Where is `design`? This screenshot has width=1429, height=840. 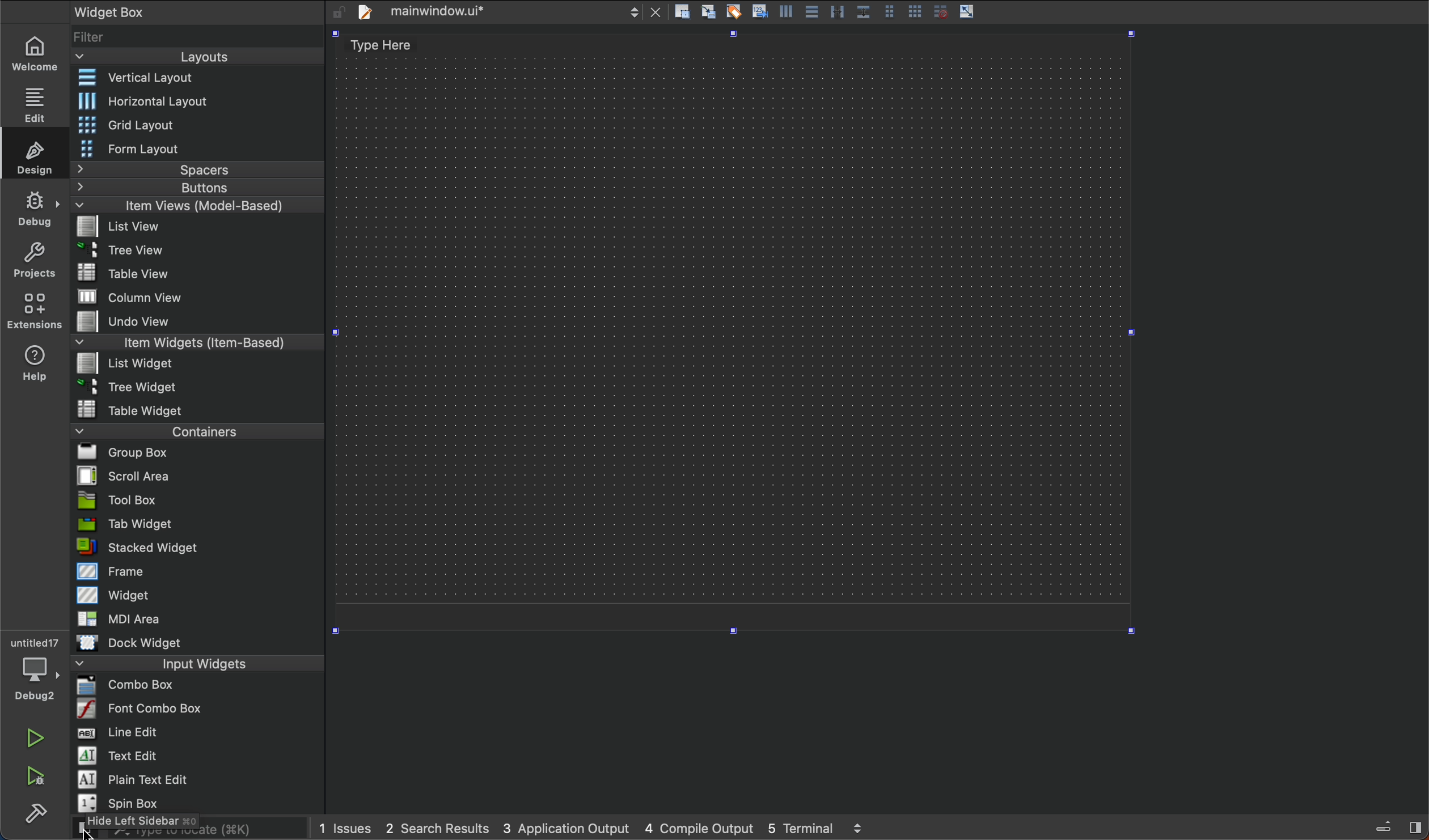 design is located at coordinates (34, 160).